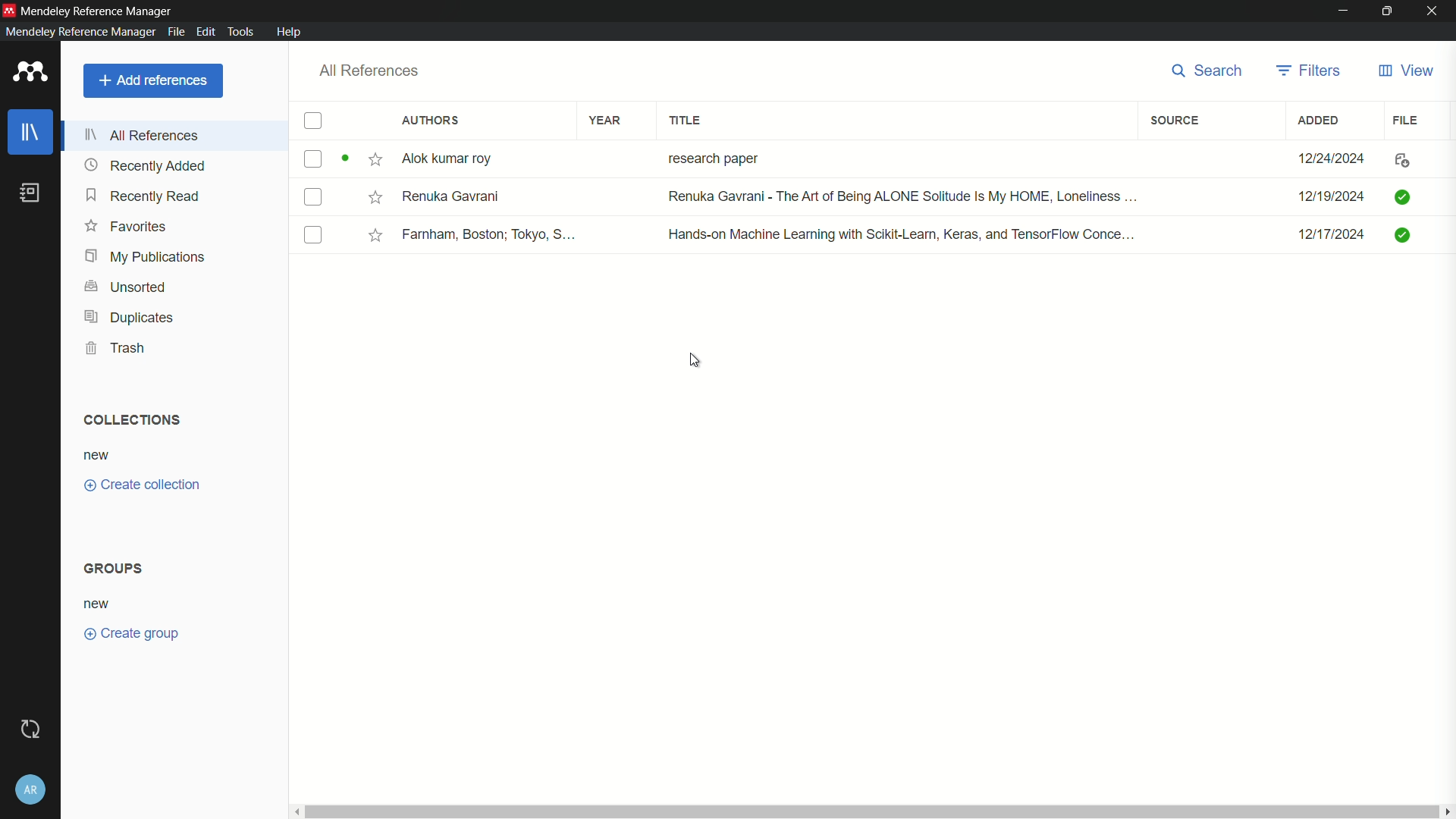 The image size is (1456, 819). I want to click on book-2, so click(918, 196).